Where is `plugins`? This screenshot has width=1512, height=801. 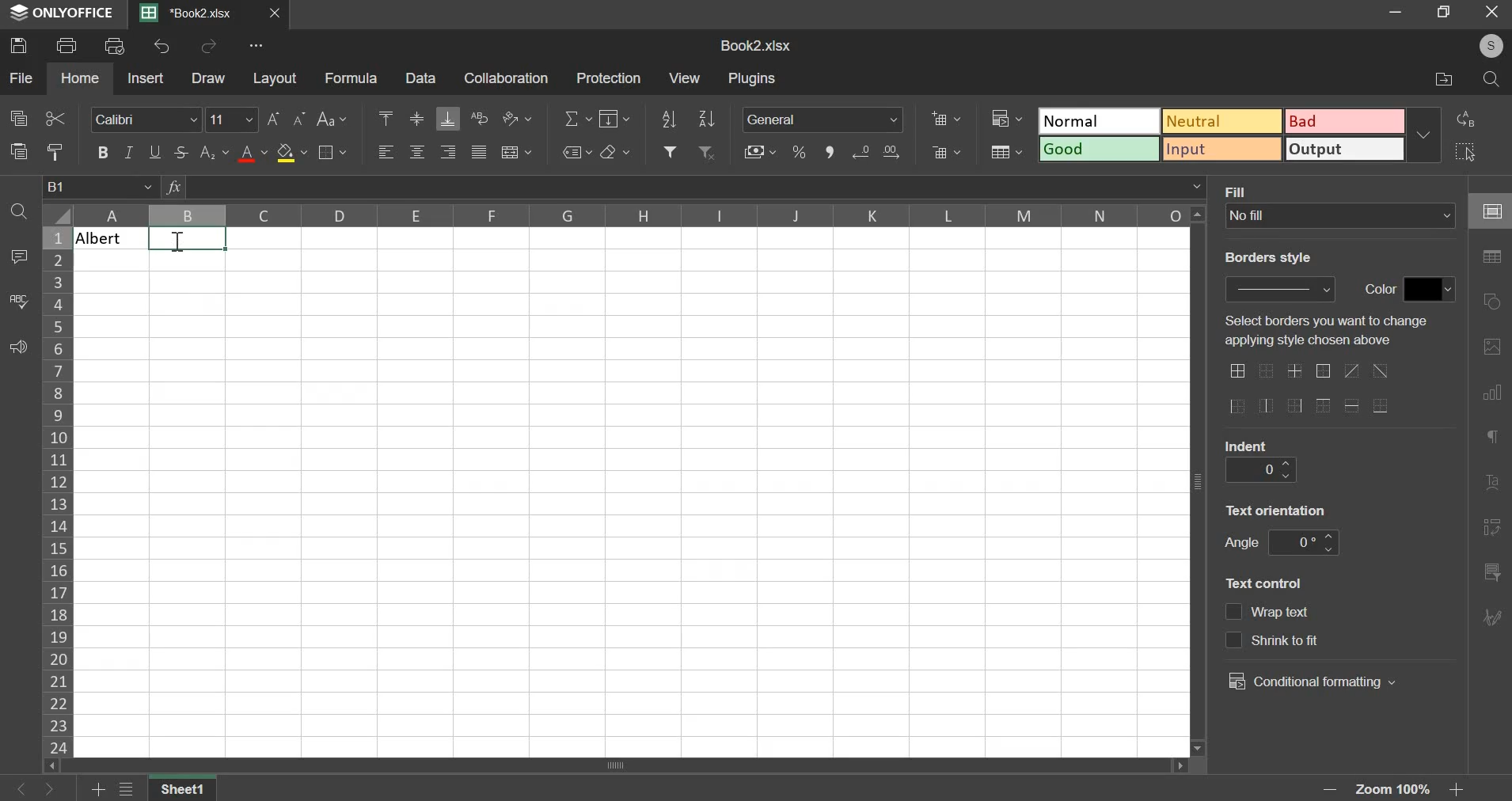 plugins is located at coordinates (754, 79).